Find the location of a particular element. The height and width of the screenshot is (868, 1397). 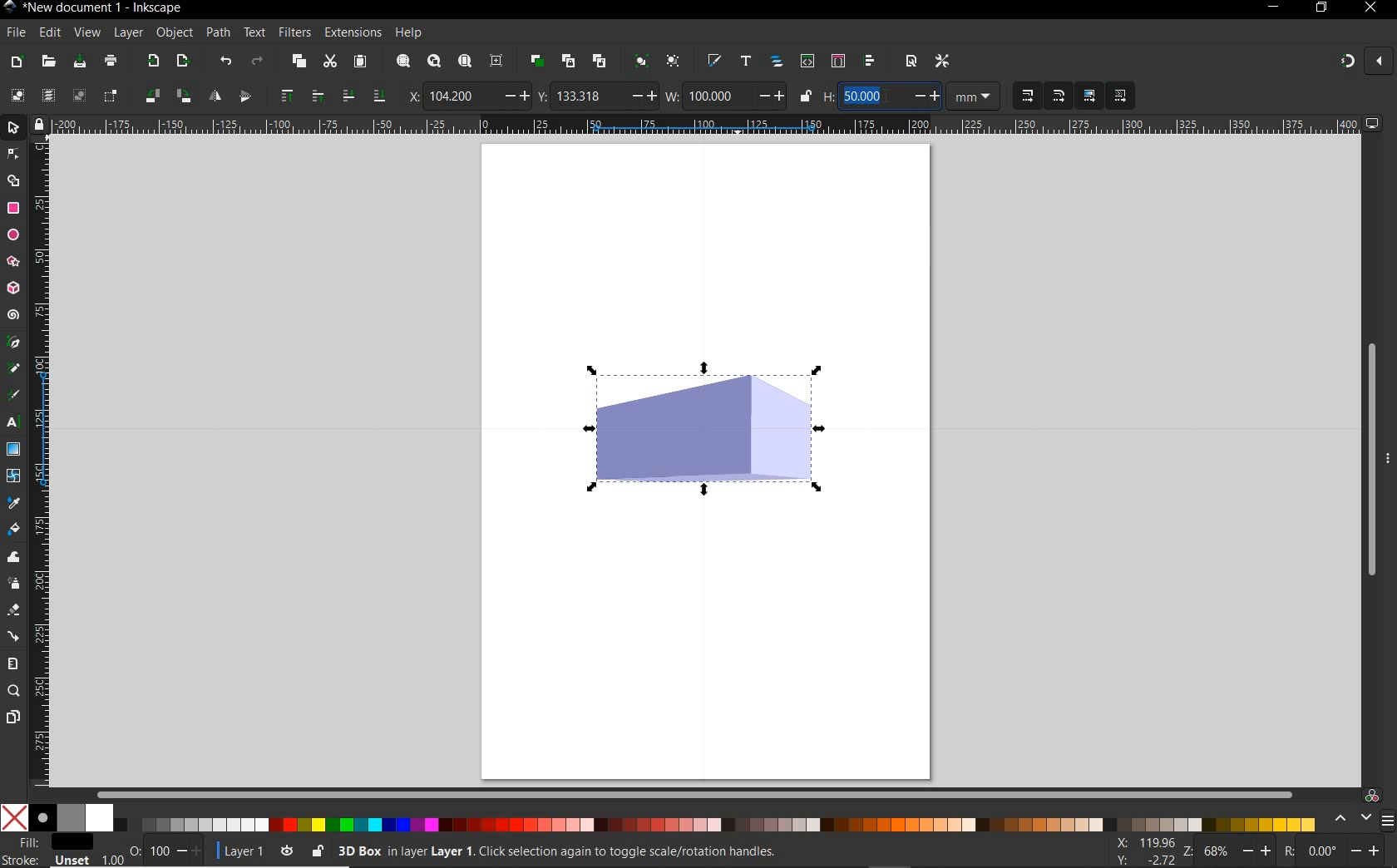

toggle selection box is located at coordinates (111, 95).